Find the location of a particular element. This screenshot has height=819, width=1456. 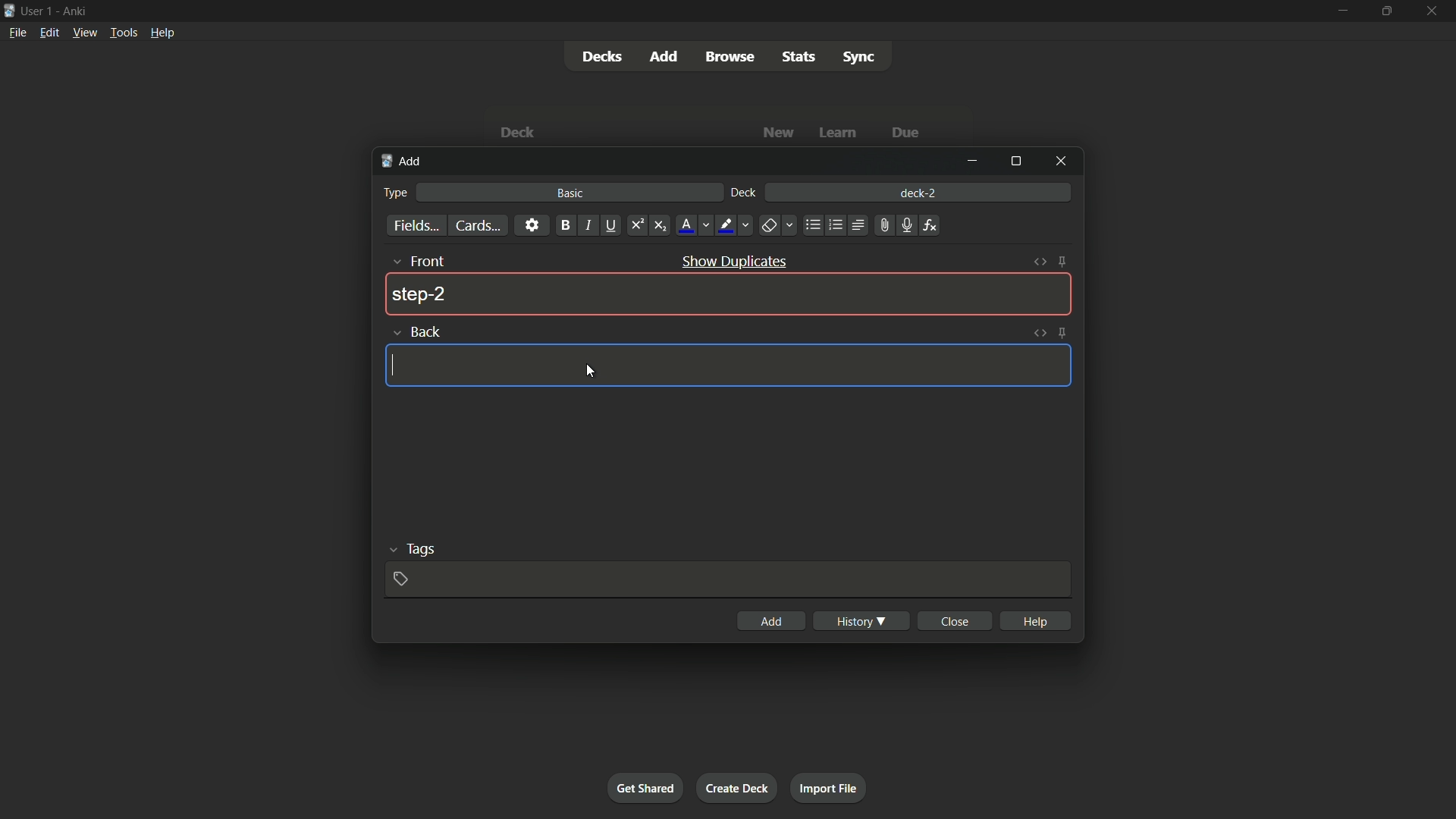

maximize is located at coordinates (1385, 11).